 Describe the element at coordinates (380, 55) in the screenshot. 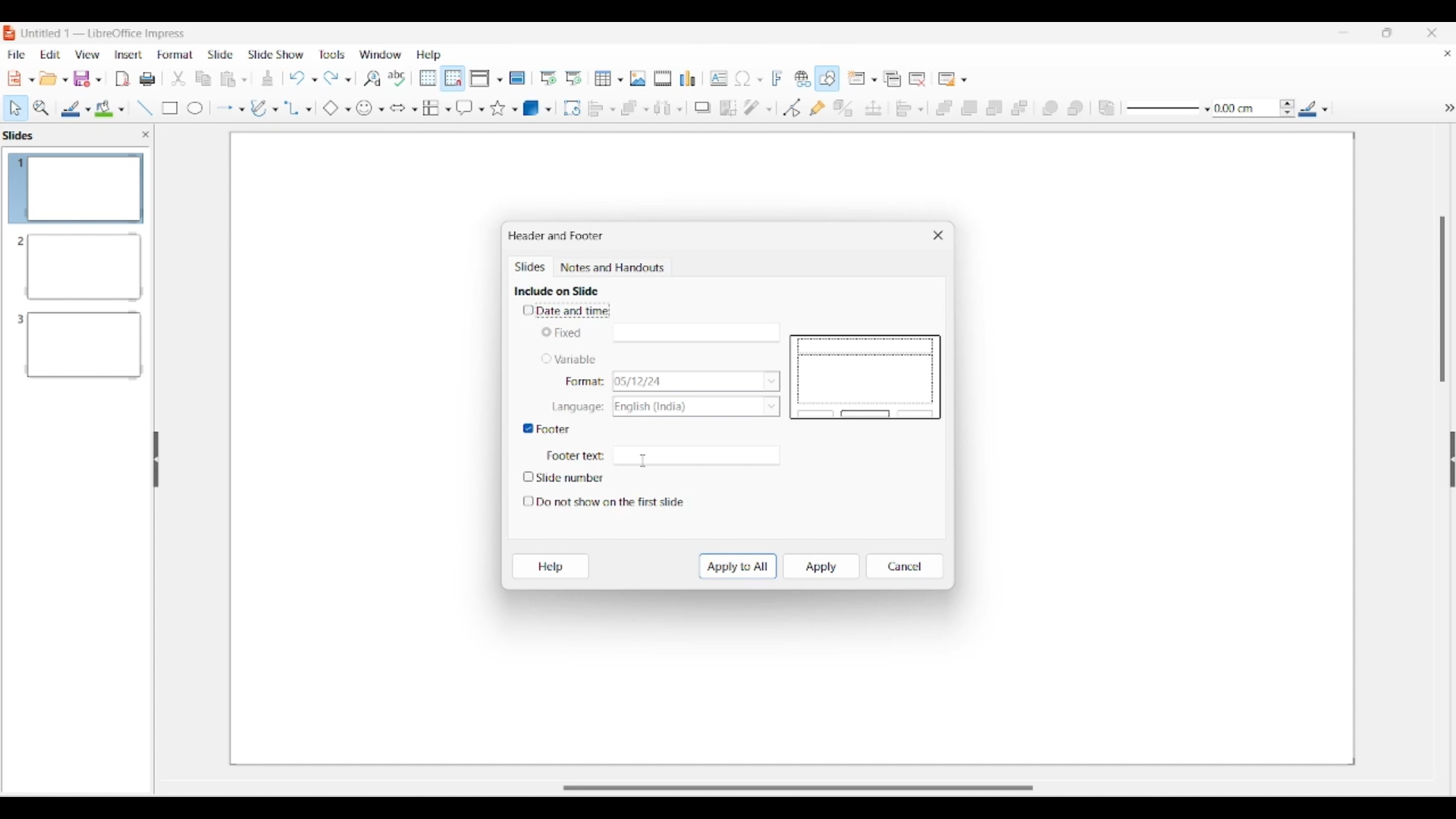

I see `Window menu` at that location.